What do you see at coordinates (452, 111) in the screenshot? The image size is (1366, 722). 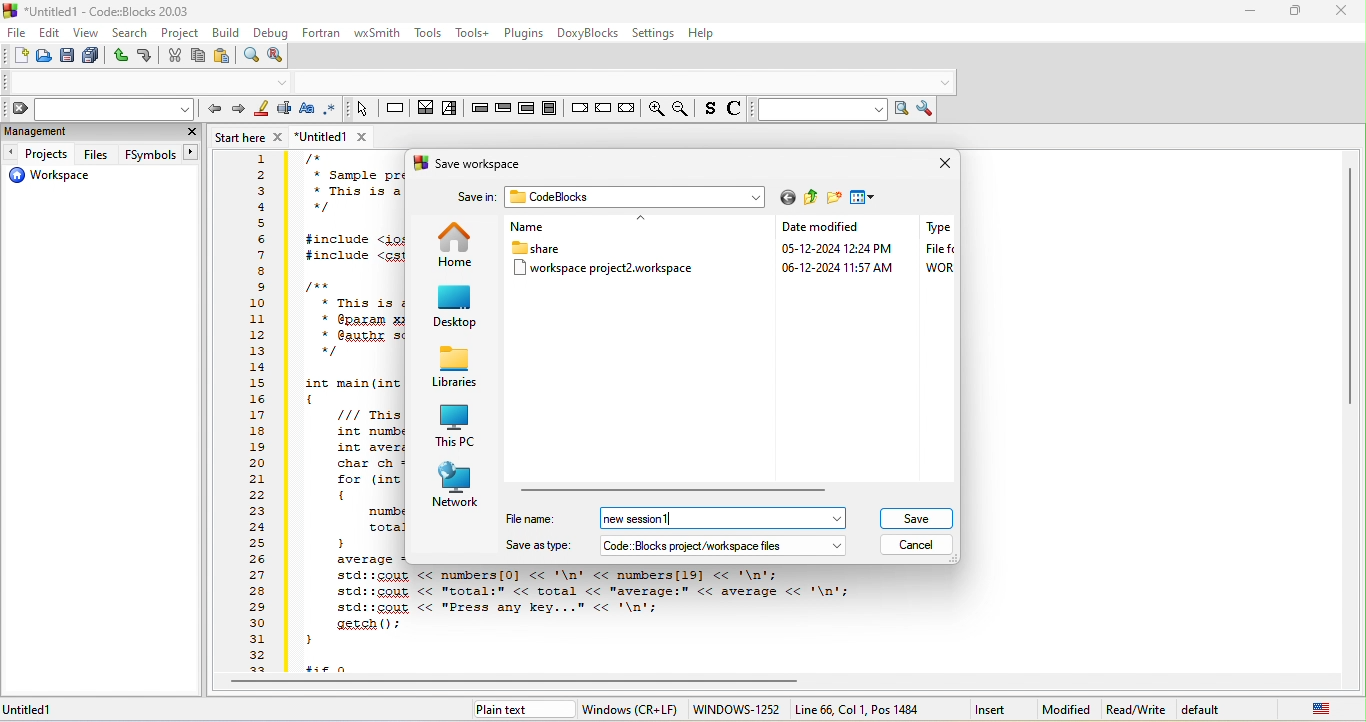 I see `selection` at bounding box center [452, 111].